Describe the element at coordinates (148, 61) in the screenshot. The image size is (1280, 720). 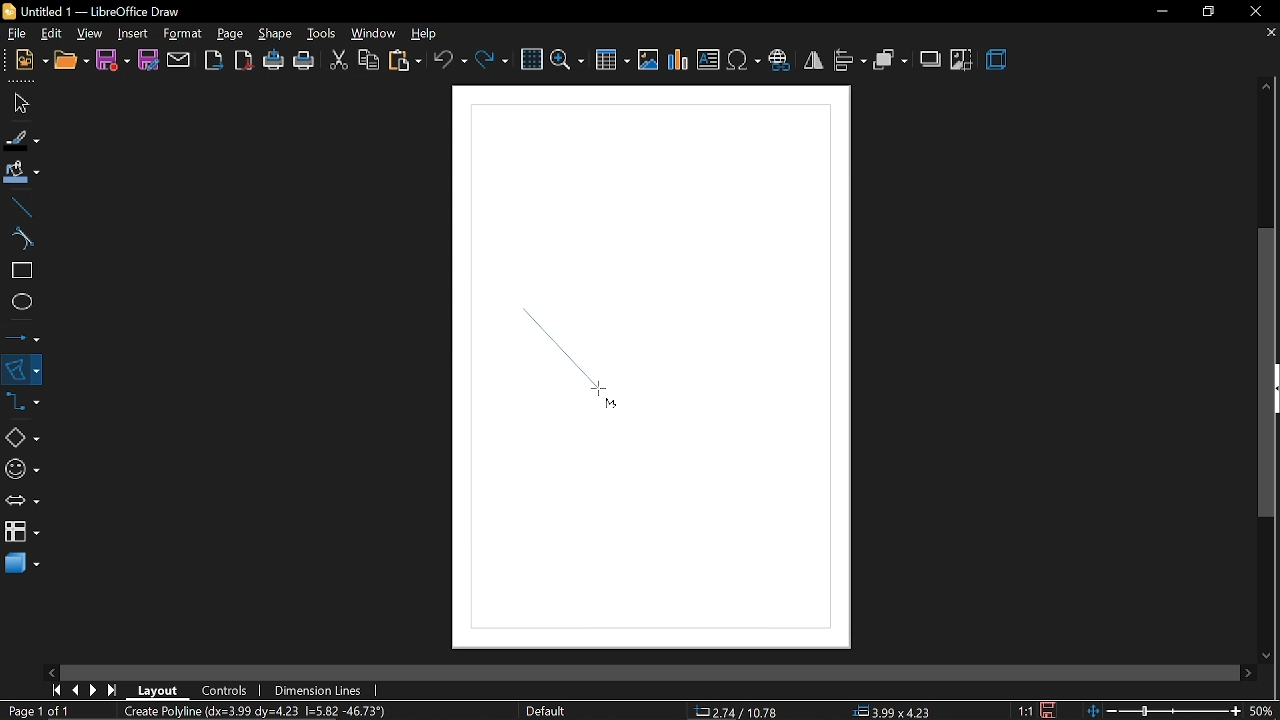
I see `save as` at that location.